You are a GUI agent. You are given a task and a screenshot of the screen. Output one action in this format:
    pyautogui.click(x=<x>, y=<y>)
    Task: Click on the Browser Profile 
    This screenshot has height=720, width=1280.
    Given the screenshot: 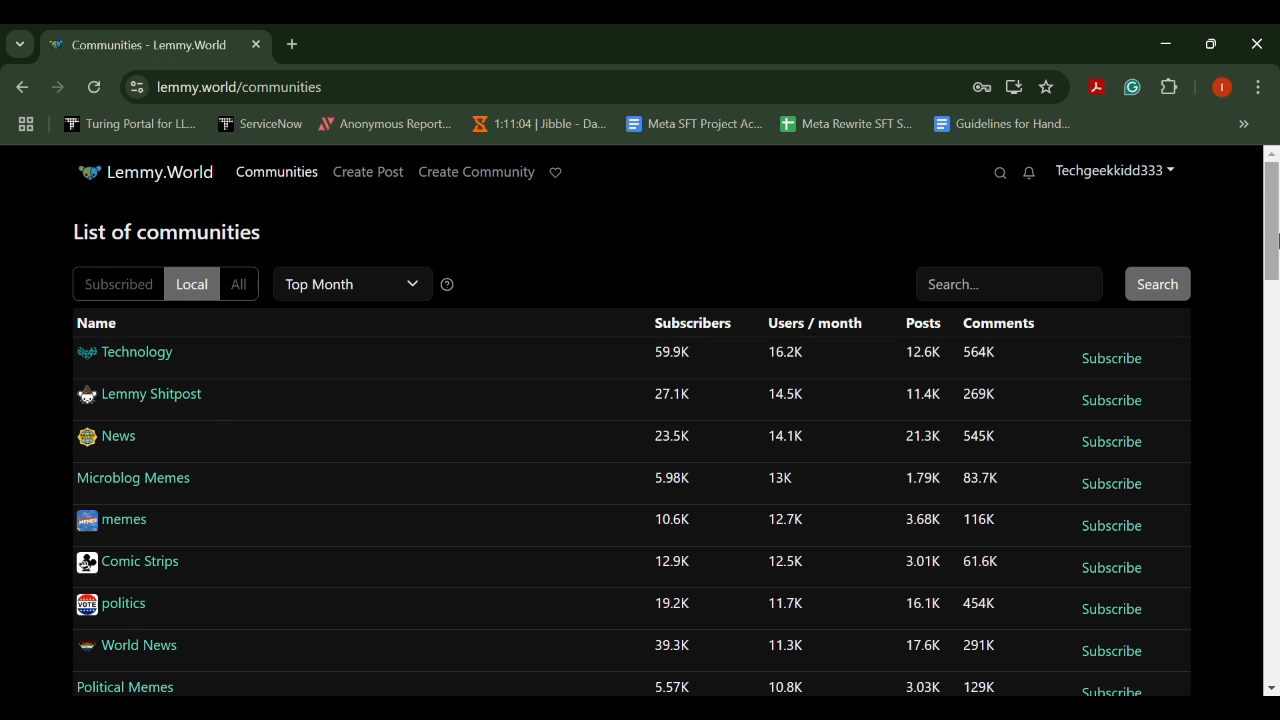 What is the action you would take?
    pyautogui.click(x=1222, y=89)
    